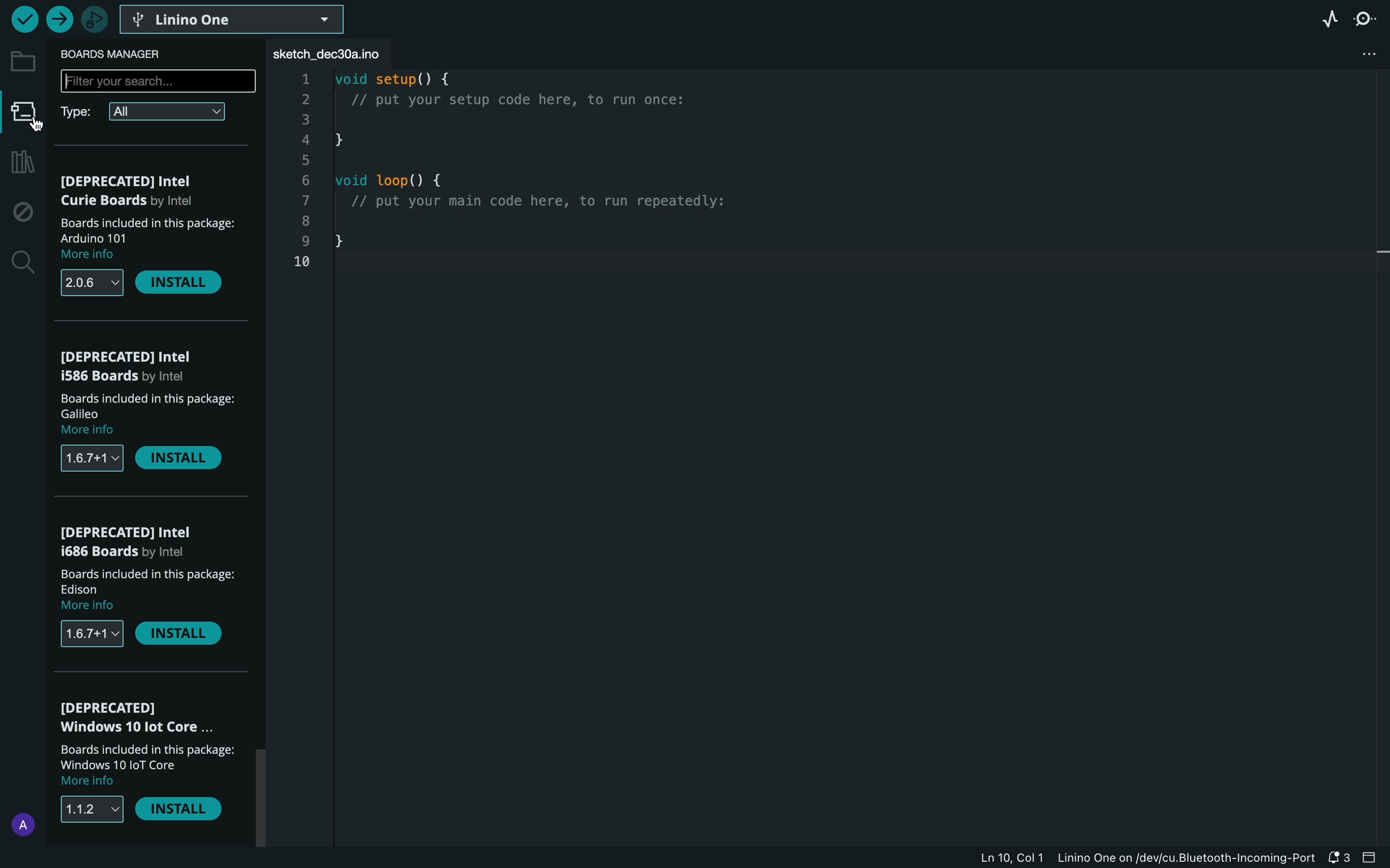  Describe the element at coordinates (138, 366) in the screenshot. I see `intel i586 boards` at that location.